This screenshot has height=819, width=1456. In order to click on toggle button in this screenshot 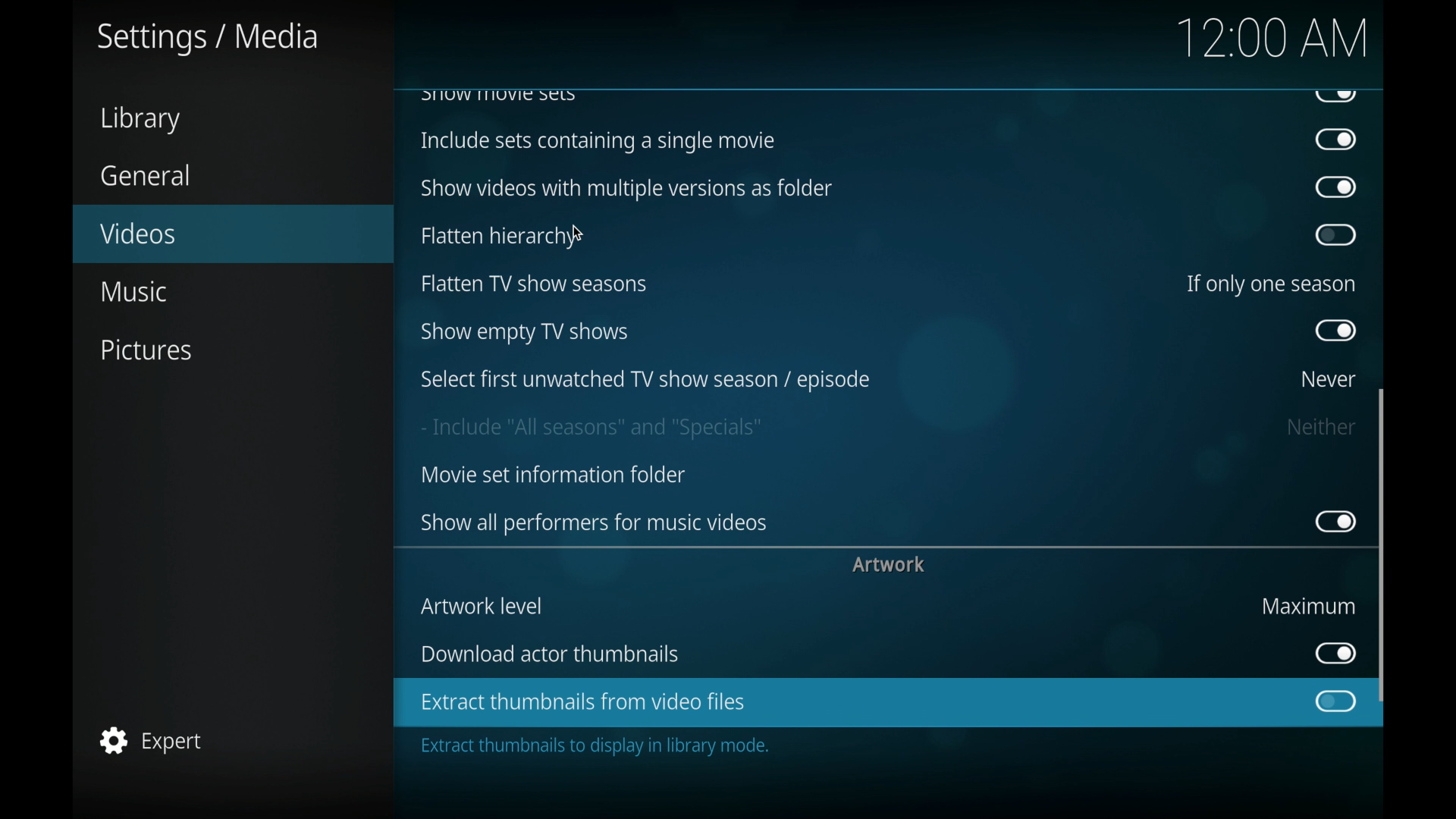, I will do `click(1337, 703)`.